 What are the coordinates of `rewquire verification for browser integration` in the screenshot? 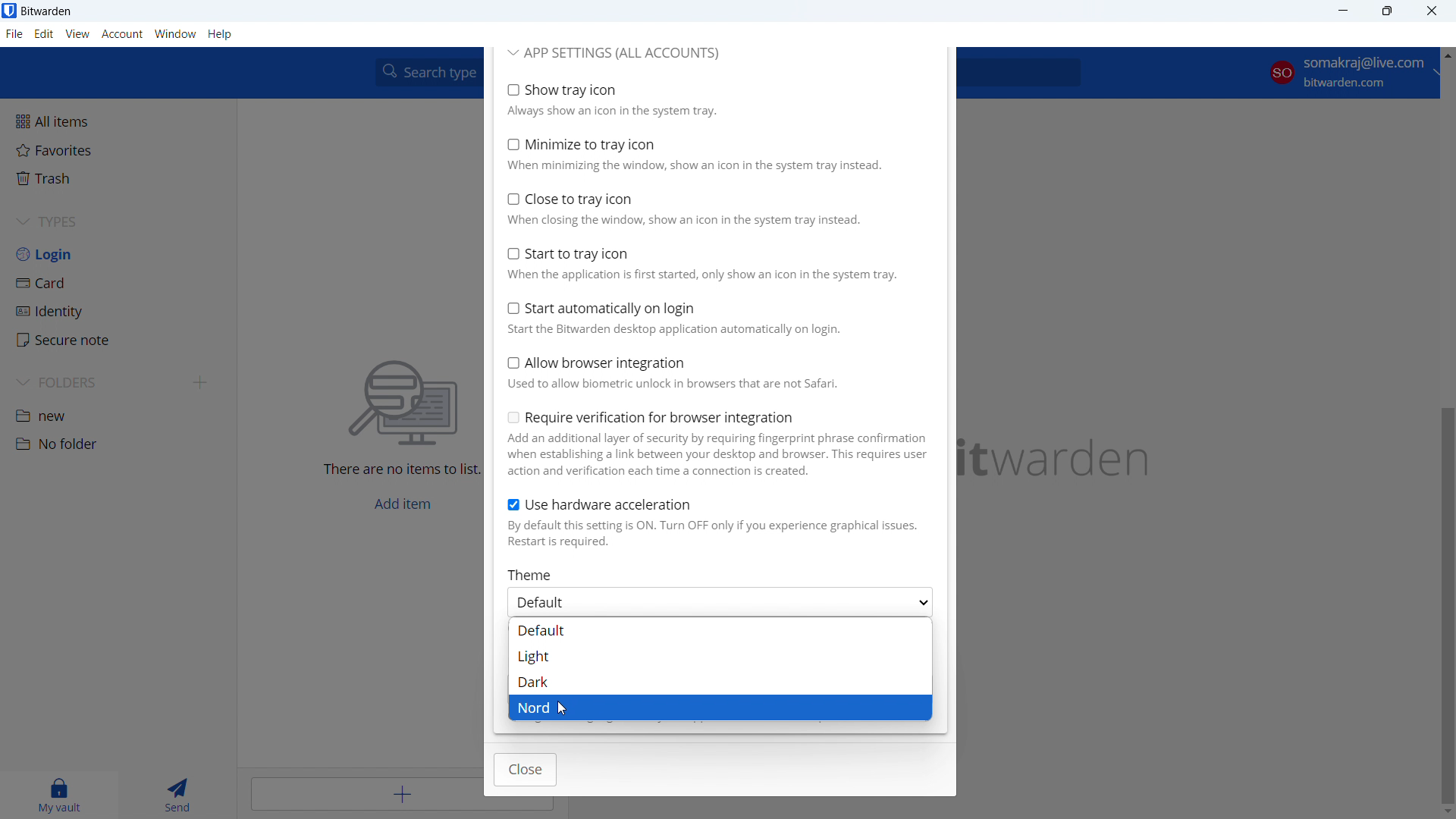 It's located at (717, 444).